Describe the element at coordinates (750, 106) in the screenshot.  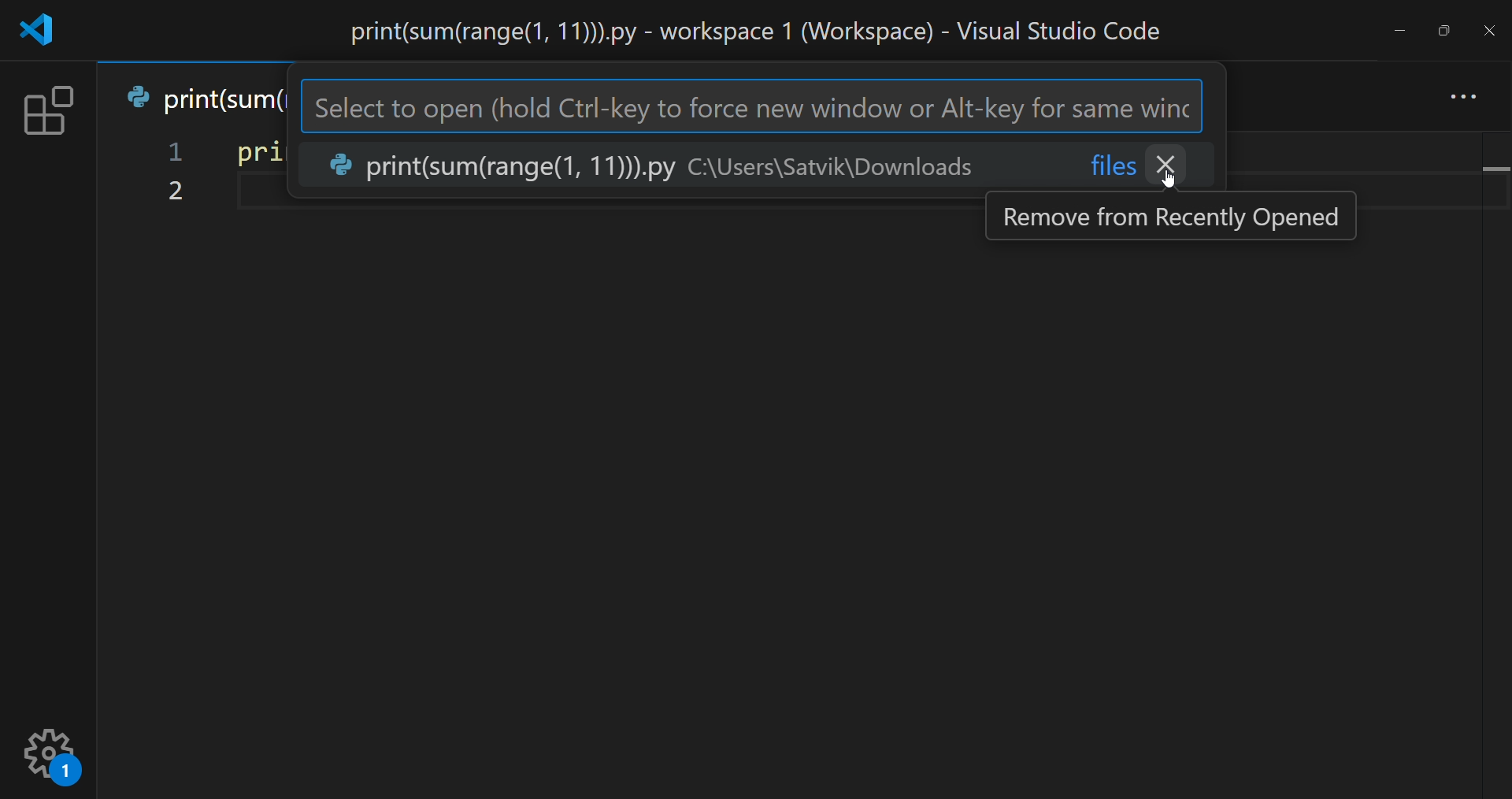
I see `Select to open (hold Ctrl-kev to force new window or Alt-key for same win` at that location.